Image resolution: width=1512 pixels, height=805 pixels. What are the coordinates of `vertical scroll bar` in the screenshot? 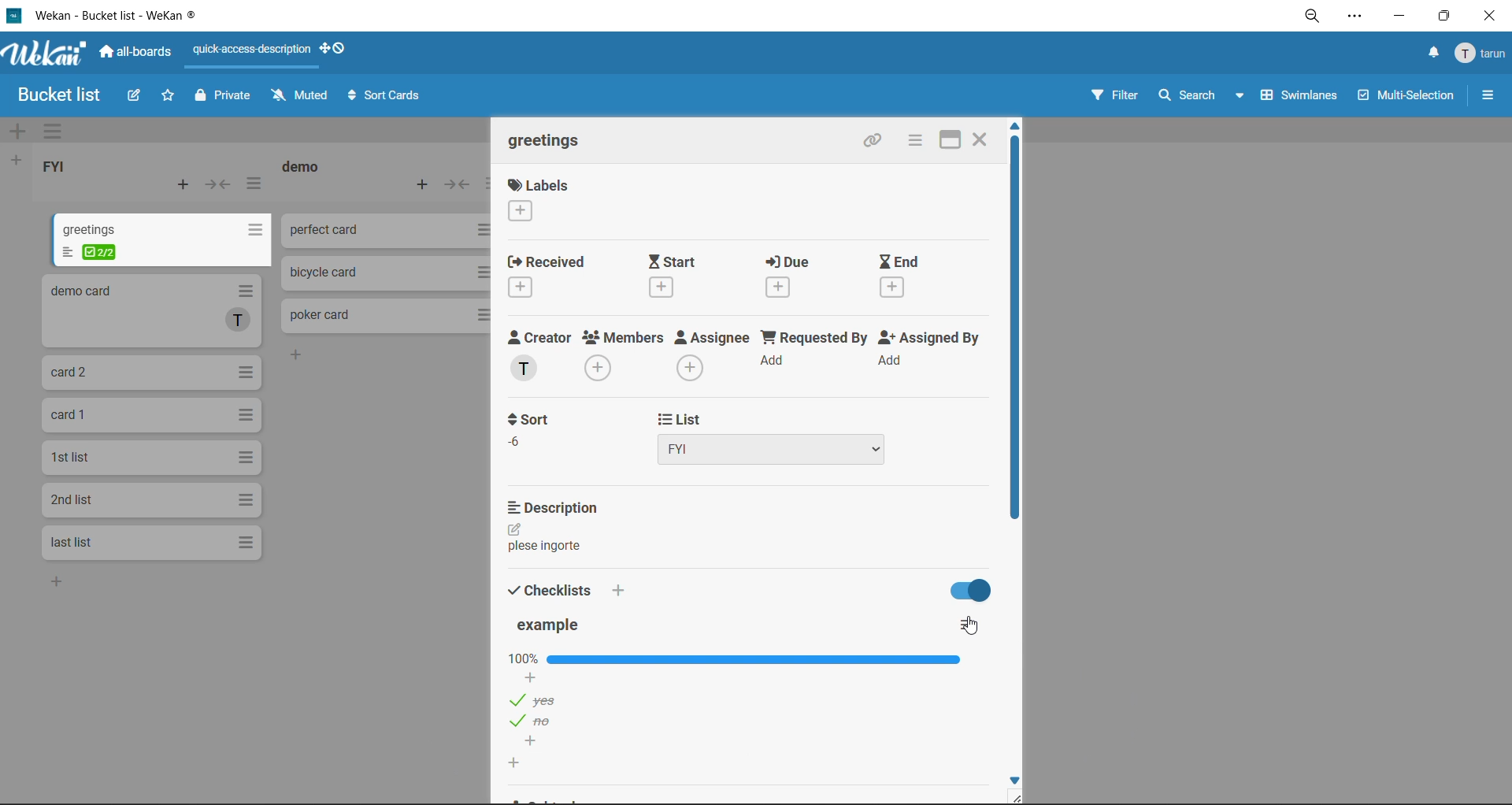 It's located at (1018, 326).